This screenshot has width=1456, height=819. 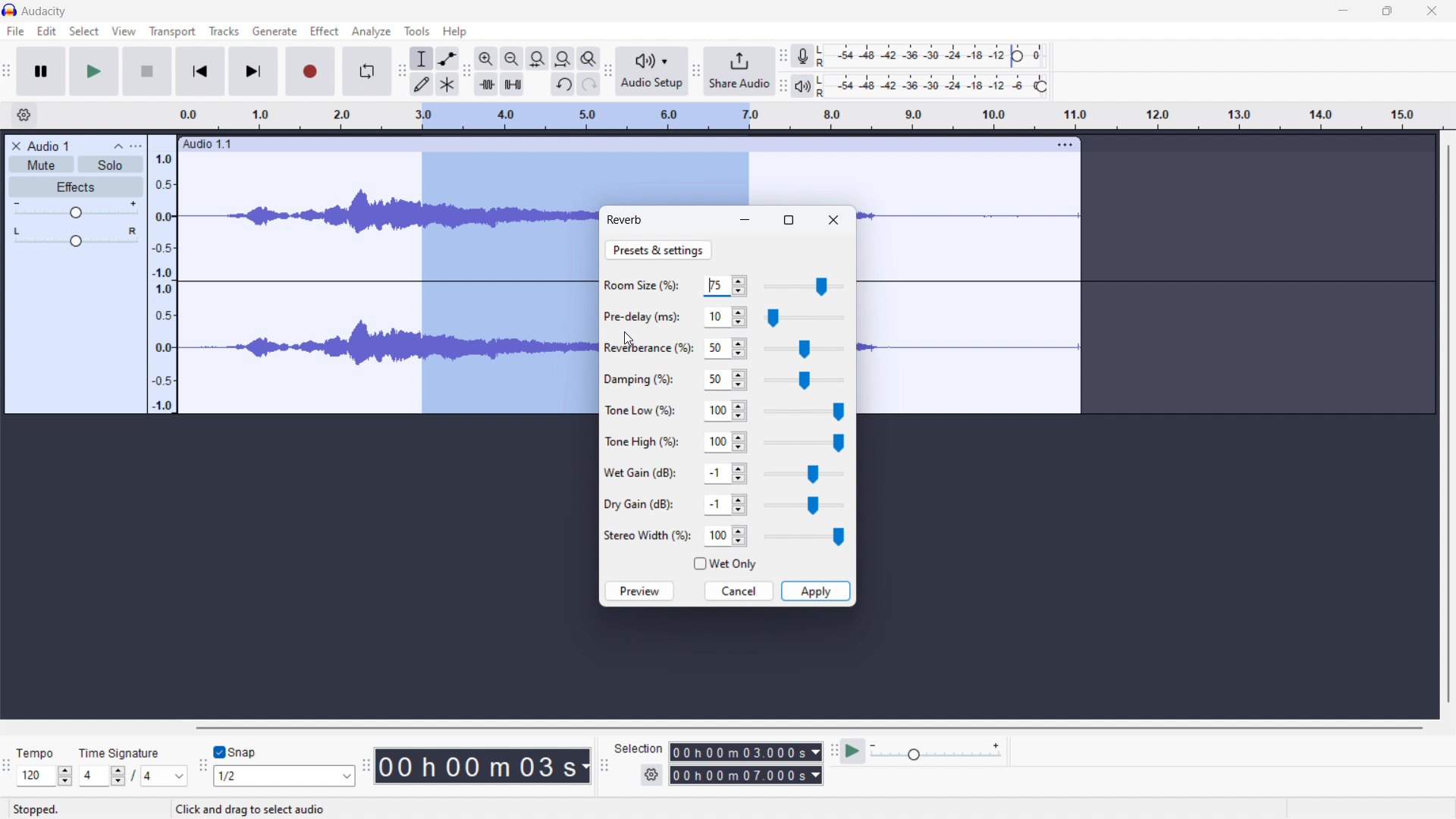 I want to click on time signature, so click(x=120, y=753).